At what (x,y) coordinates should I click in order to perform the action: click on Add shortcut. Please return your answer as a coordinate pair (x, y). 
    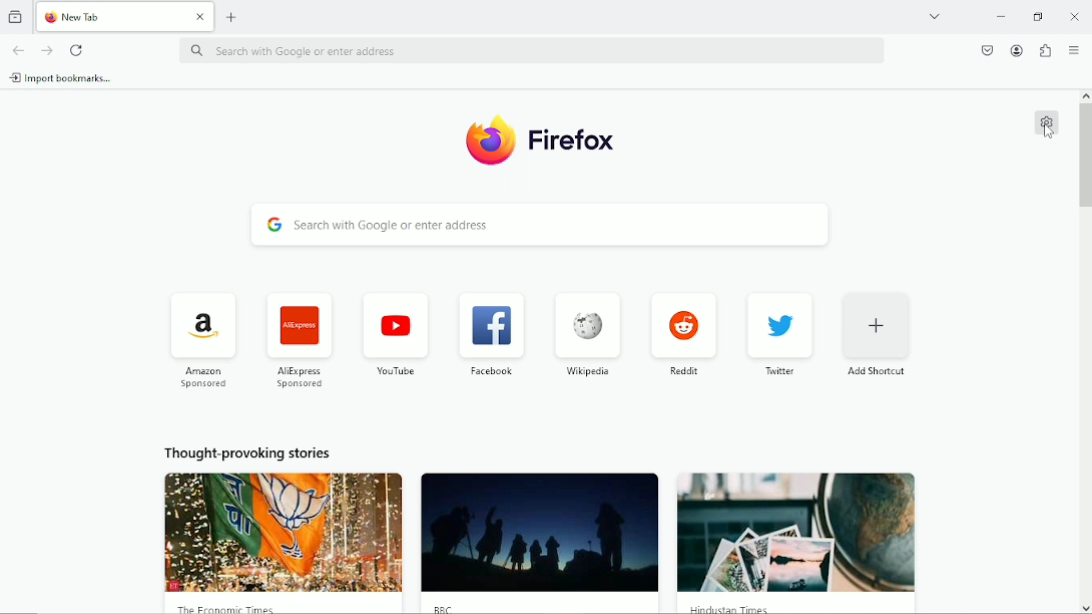
    Looking at the image, I should click on (881, 333).